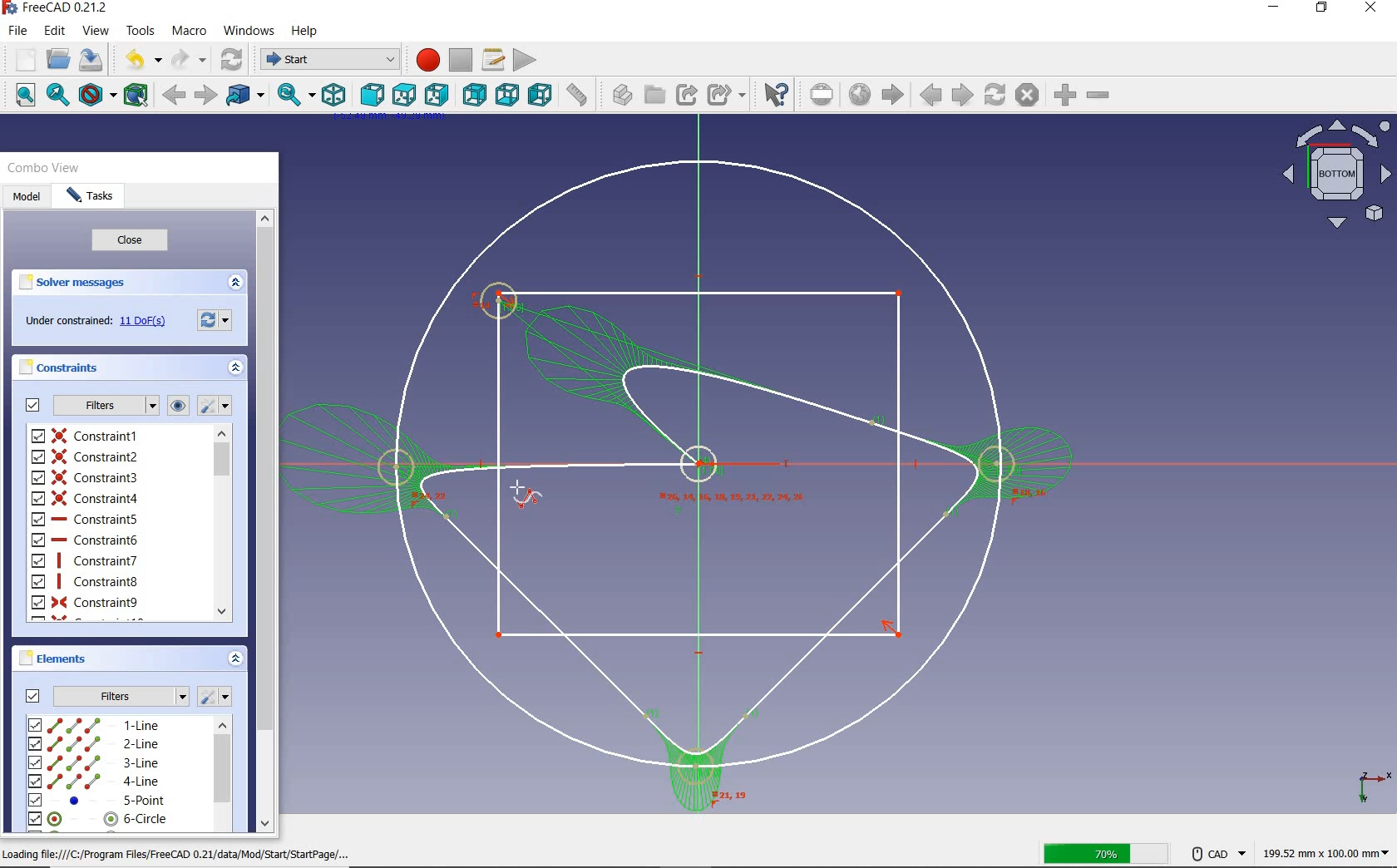  Describe the element at coordinates (234, 660) in the screenshot. I see `expand` at that location.